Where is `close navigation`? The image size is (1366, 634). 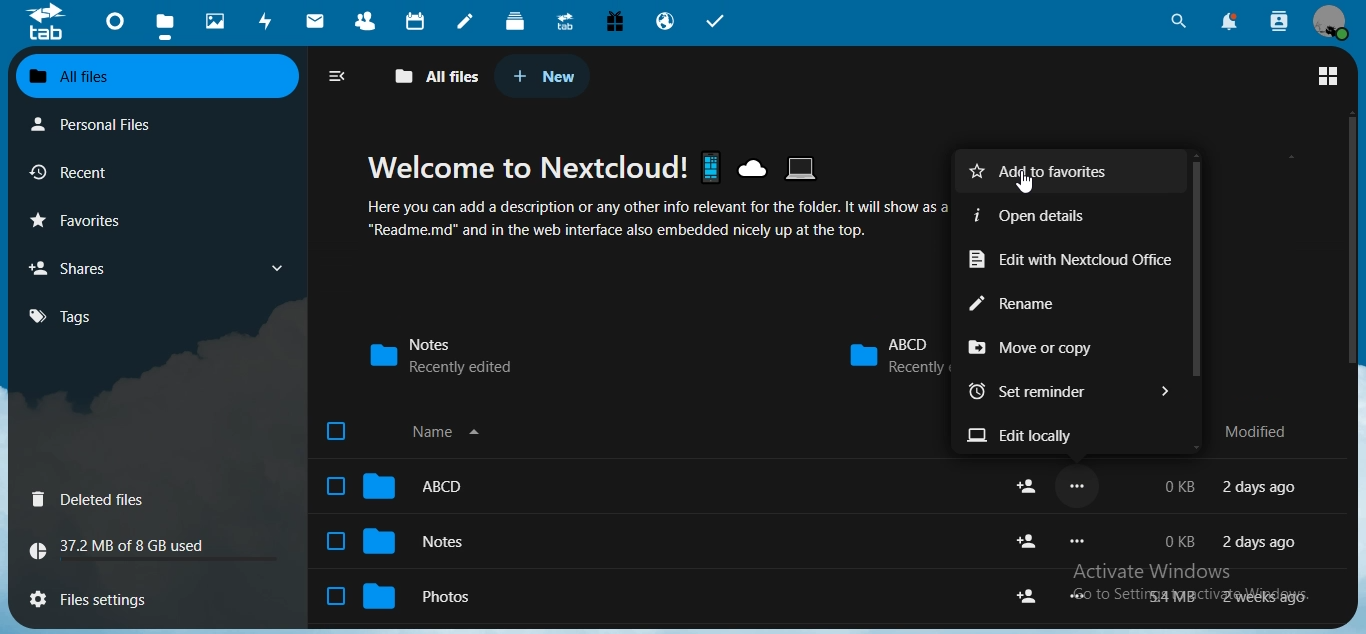
close navigation is located at coordinates (336, 74).